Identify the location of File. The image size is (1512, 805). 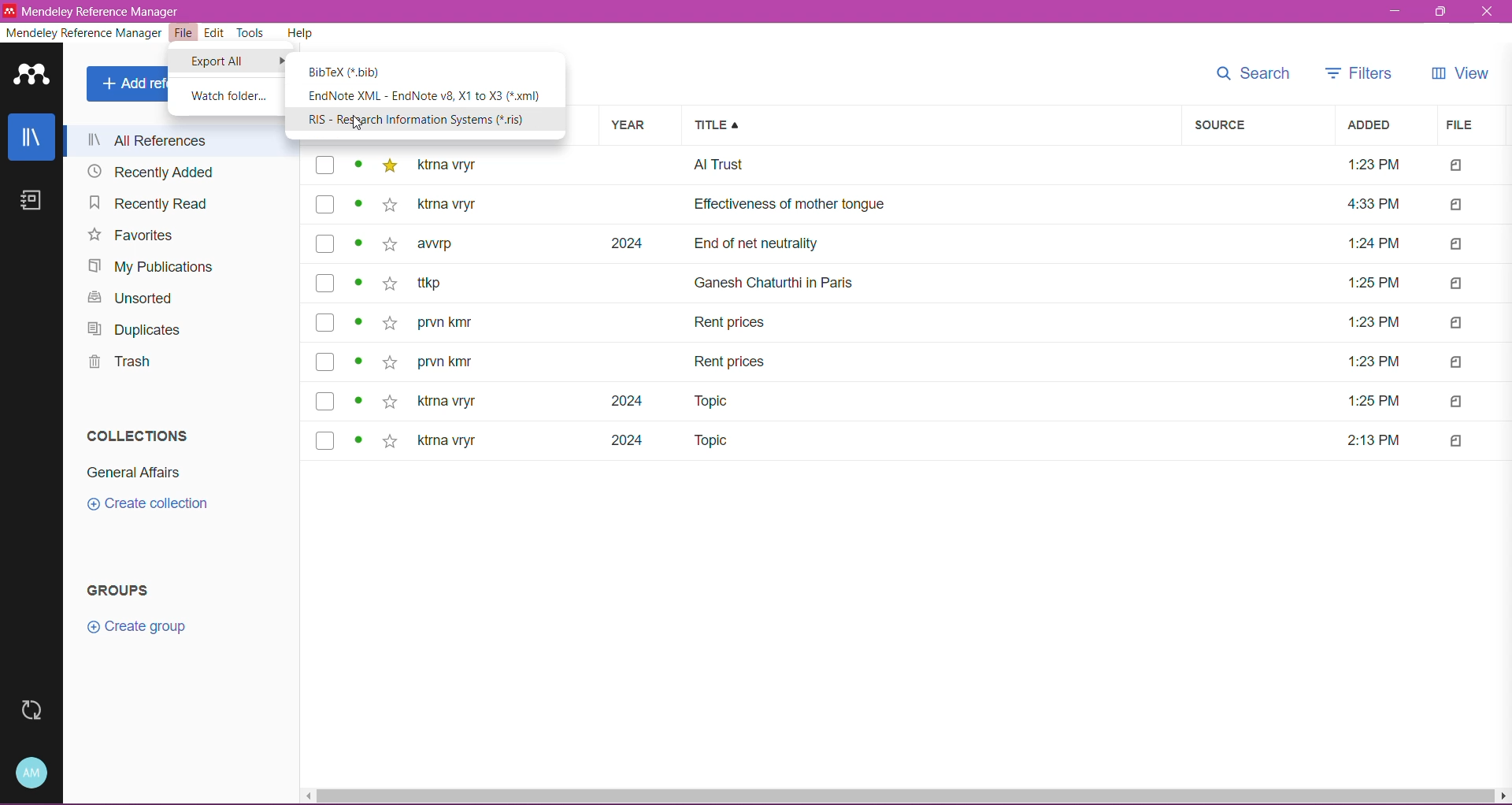
(1467, 126).